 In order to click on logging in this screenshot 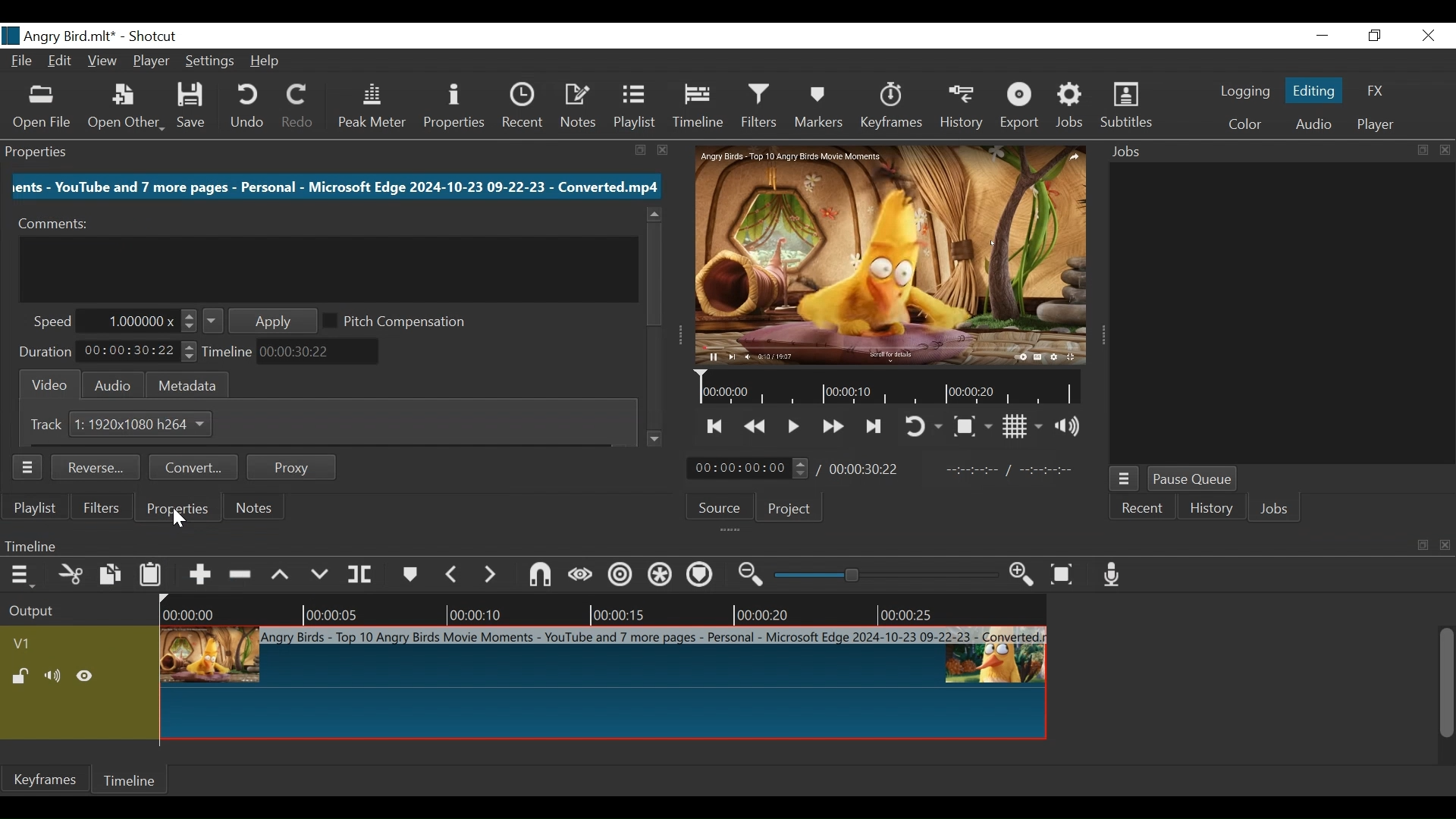, I will do `click(1245, 93)`.